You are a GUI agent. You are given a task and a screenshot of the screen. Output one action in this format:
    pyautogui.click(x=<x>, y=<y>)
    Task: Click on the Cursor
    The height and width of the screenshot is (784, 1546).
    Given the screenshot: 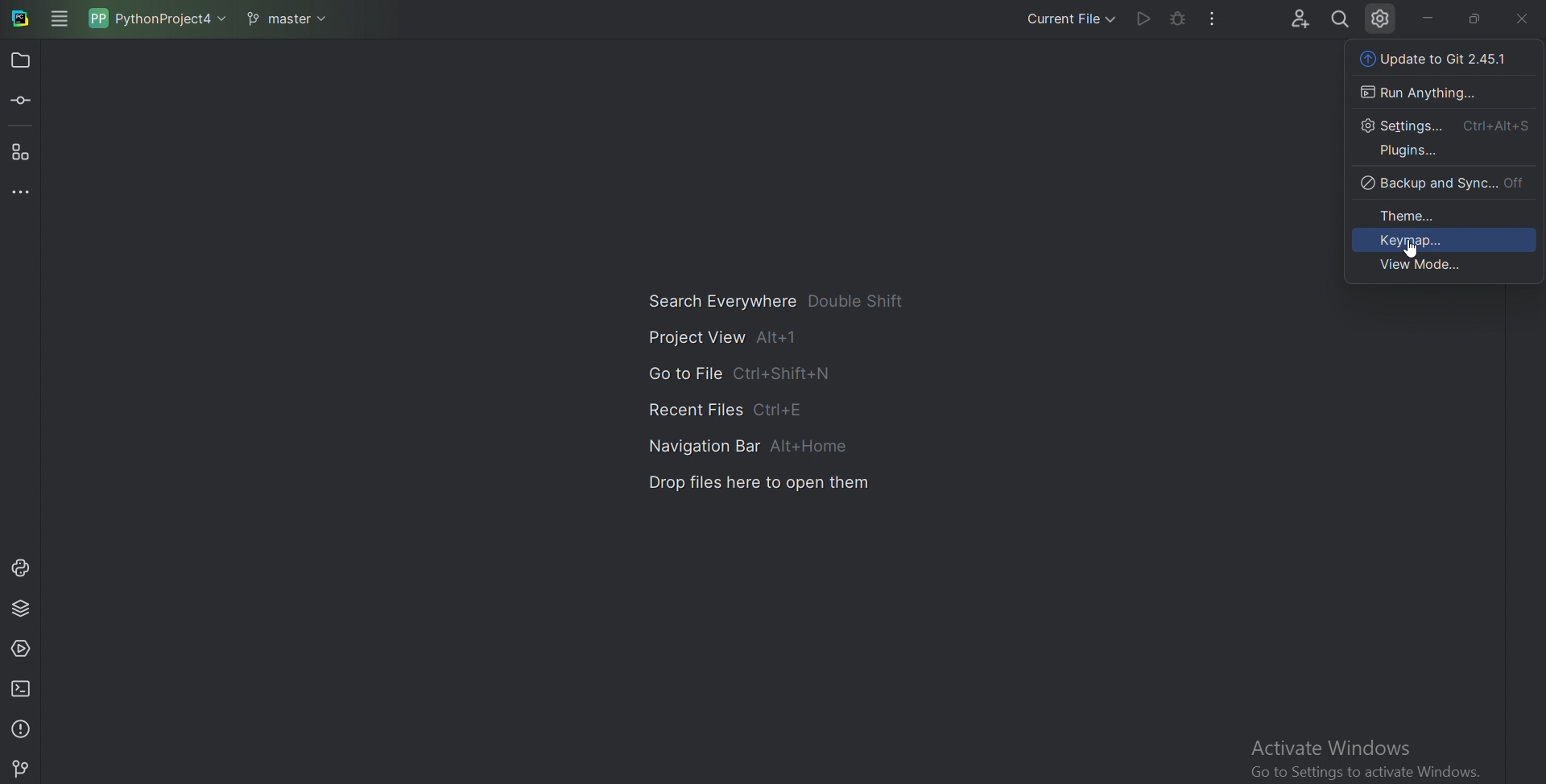 What is the action you would take?
    pyautogui.click(x=1410, y=249)
    